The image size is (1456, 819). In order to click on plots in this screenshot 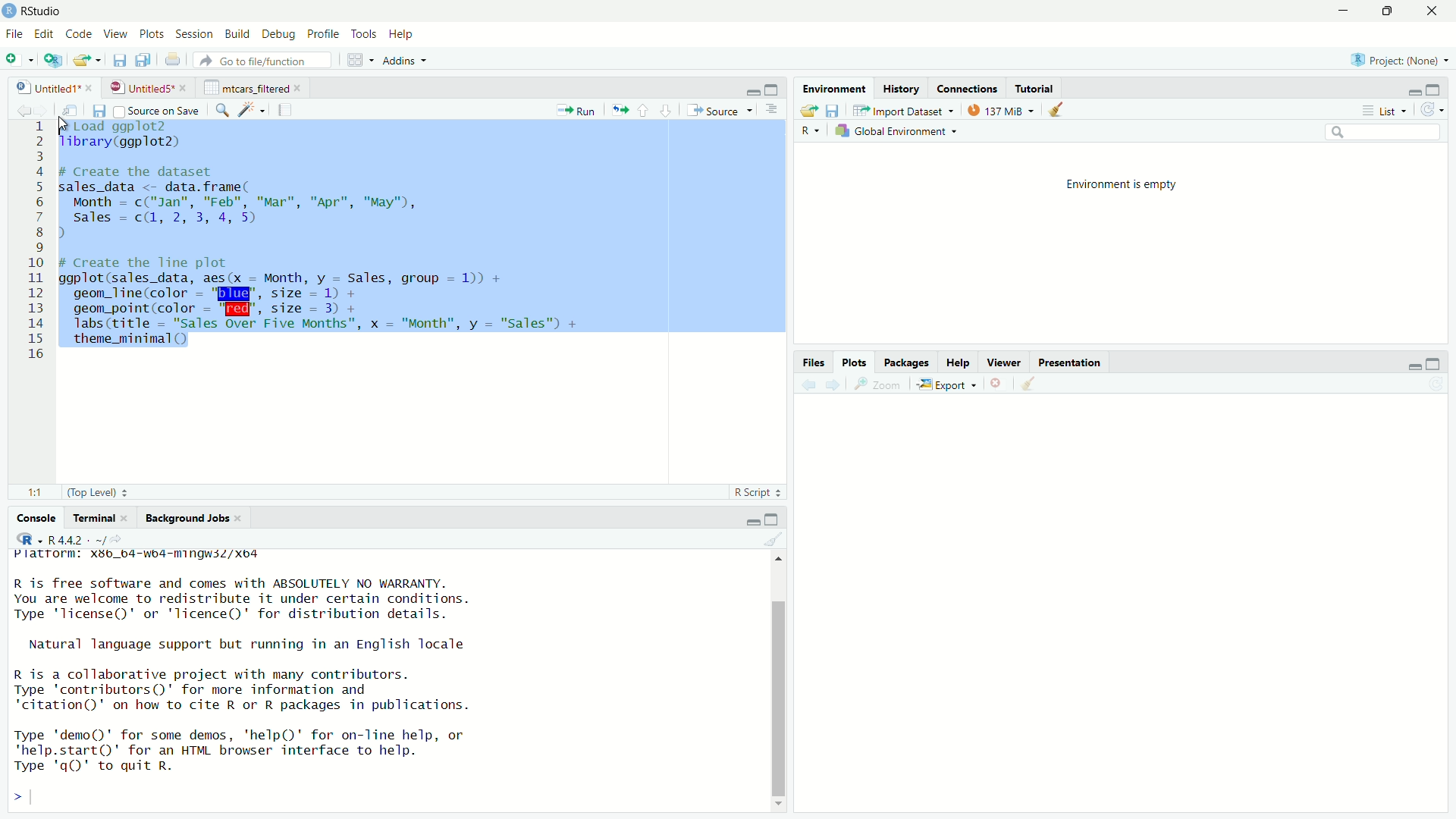, I will do `click(154, 35)`.